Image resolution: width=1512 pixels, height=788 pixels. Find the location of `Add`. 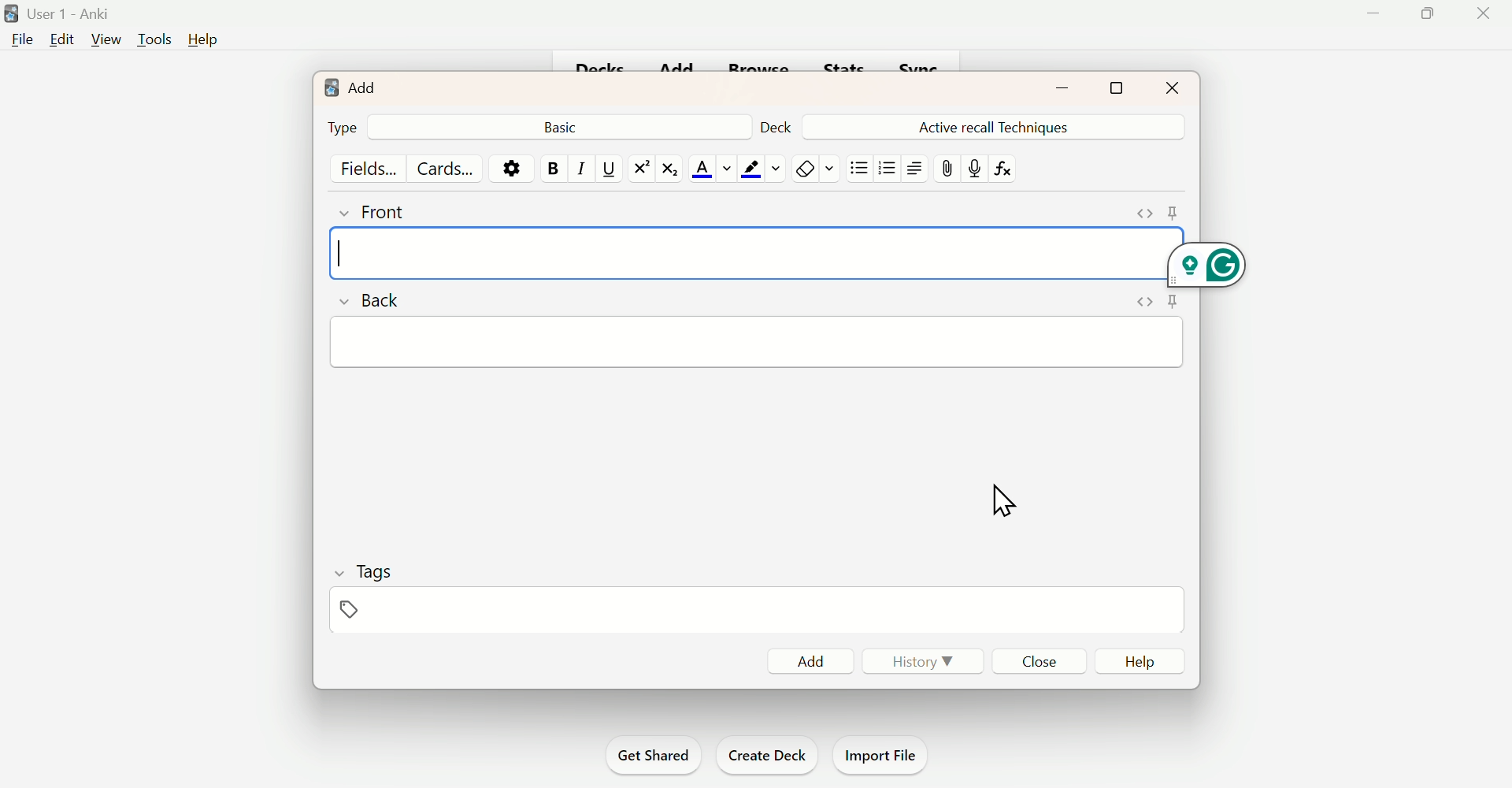

Add is located at coordinates (809, 662).